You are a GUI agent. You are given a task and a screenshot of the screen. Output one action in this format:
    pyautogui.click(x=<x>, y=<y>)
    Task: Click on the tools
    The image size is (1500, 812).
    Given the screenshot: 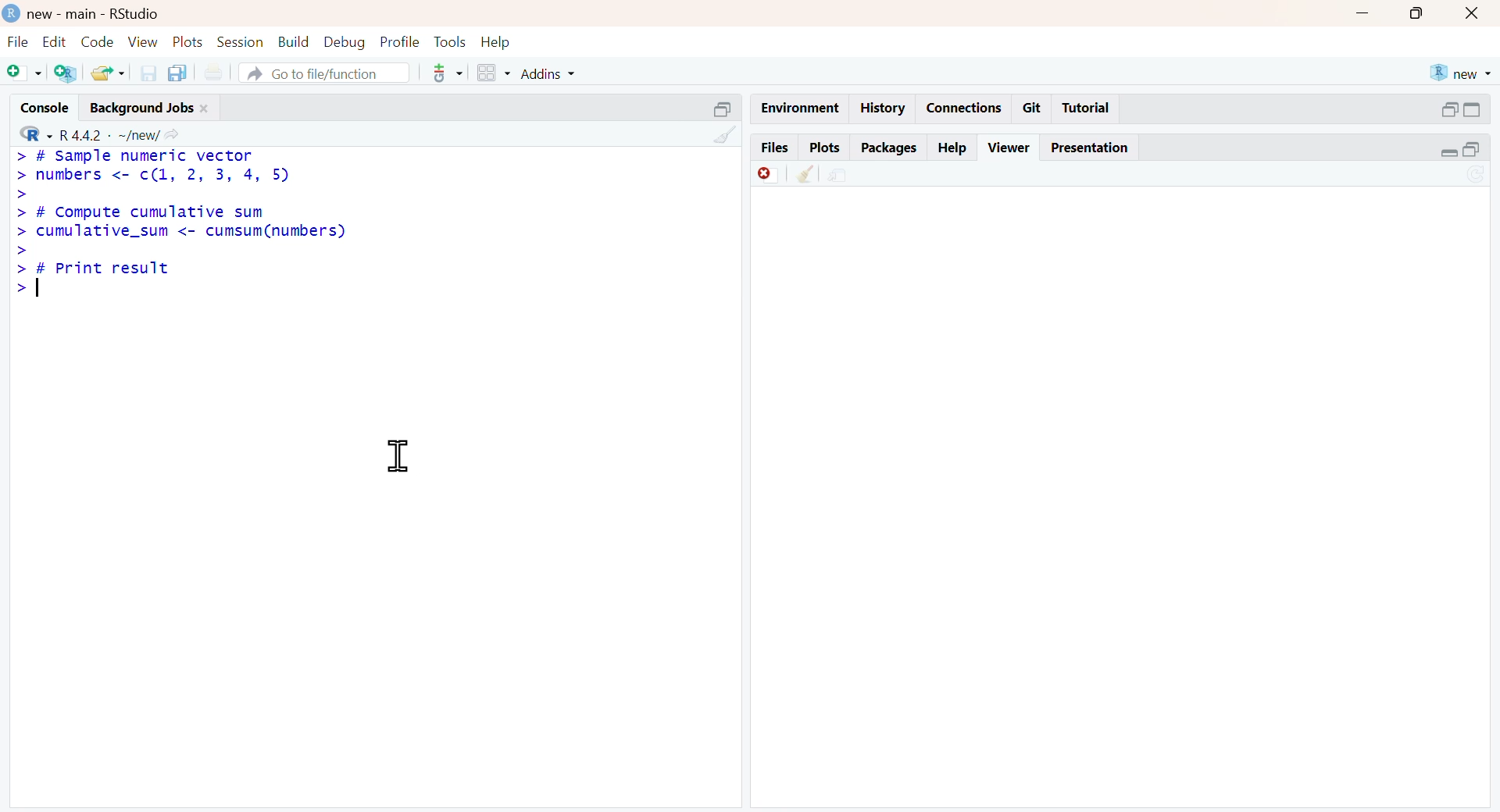 What is the action you would take?
    pyautogui.click(x=449, y=73)
    